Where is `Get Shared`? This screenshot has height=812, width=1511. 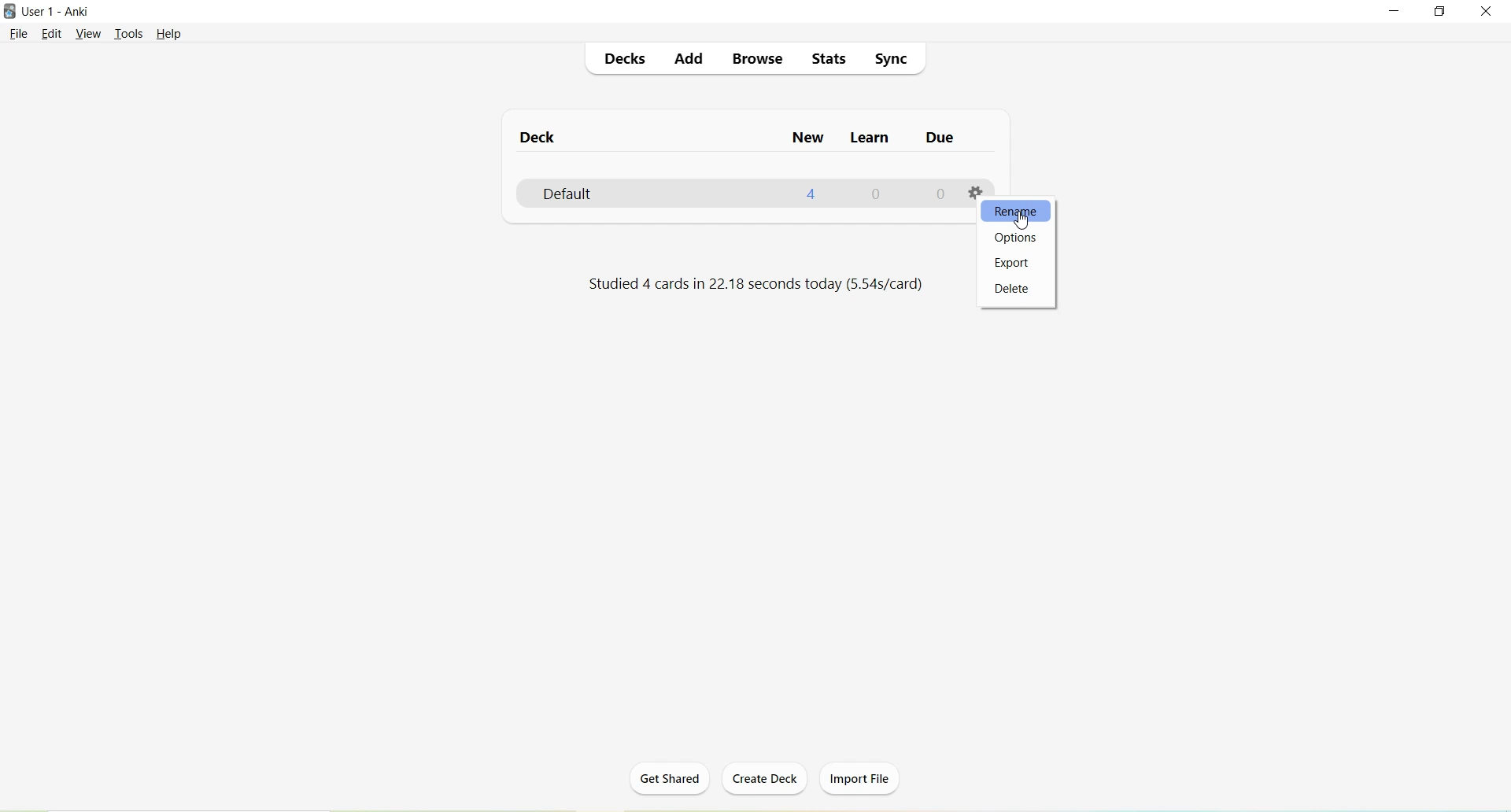 Get Shared is located at coordinates (667, 783).